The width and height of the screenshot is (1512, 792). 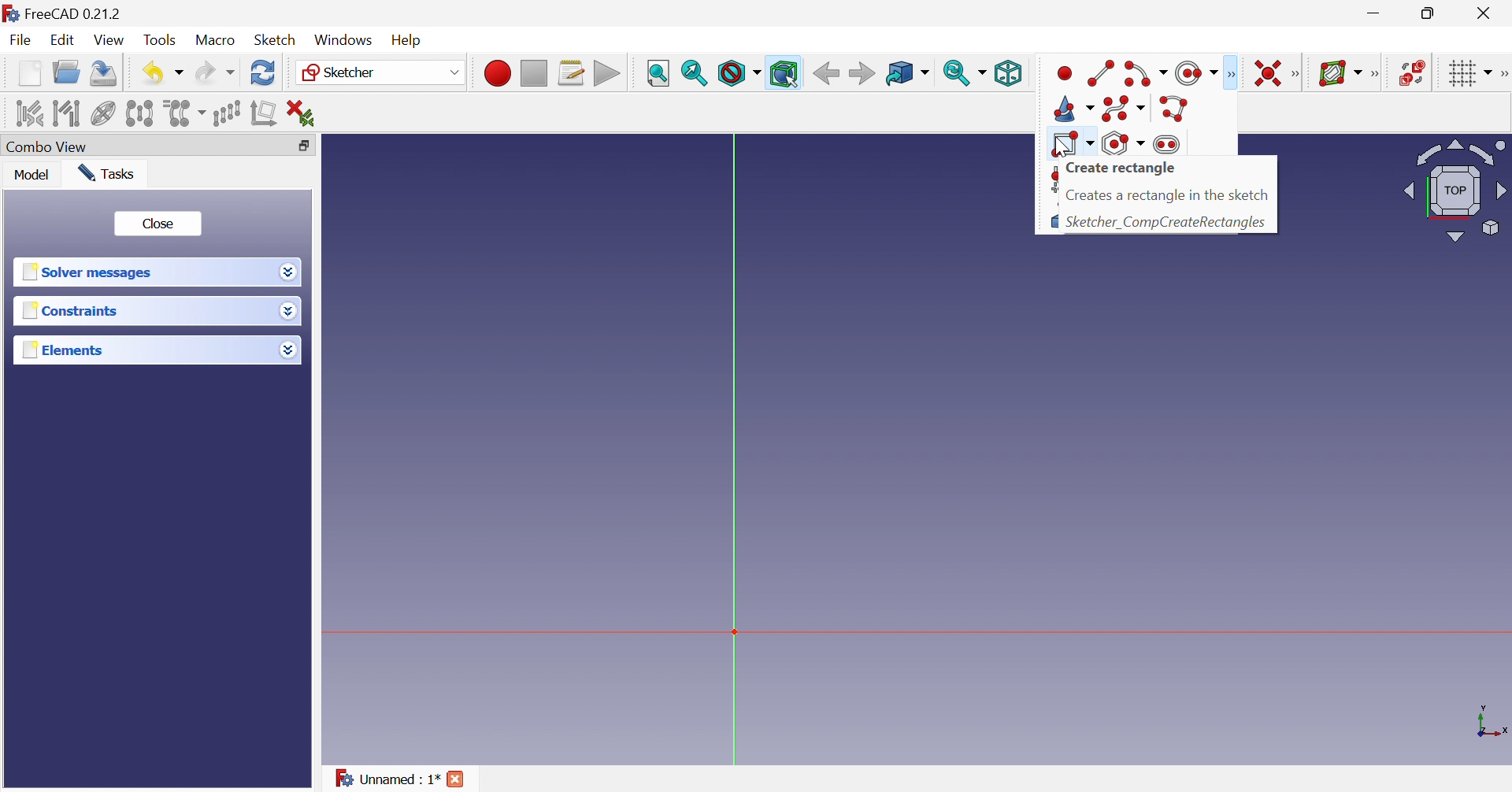 What do you see at coordinates (62, 41) in the screenshot?
I see `Edit` at bounding box center [62, 41].